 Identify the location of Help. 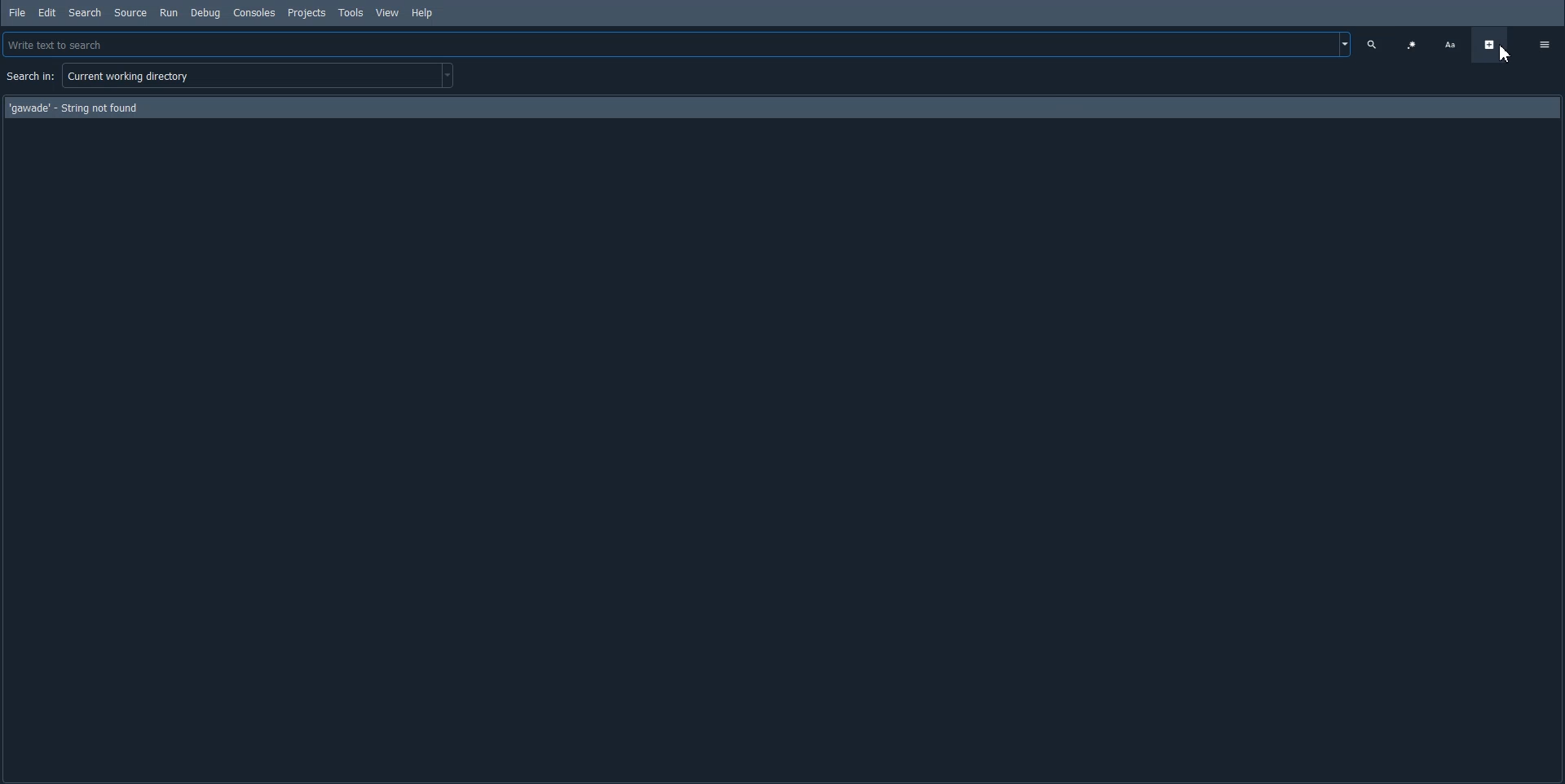
(423, 14).